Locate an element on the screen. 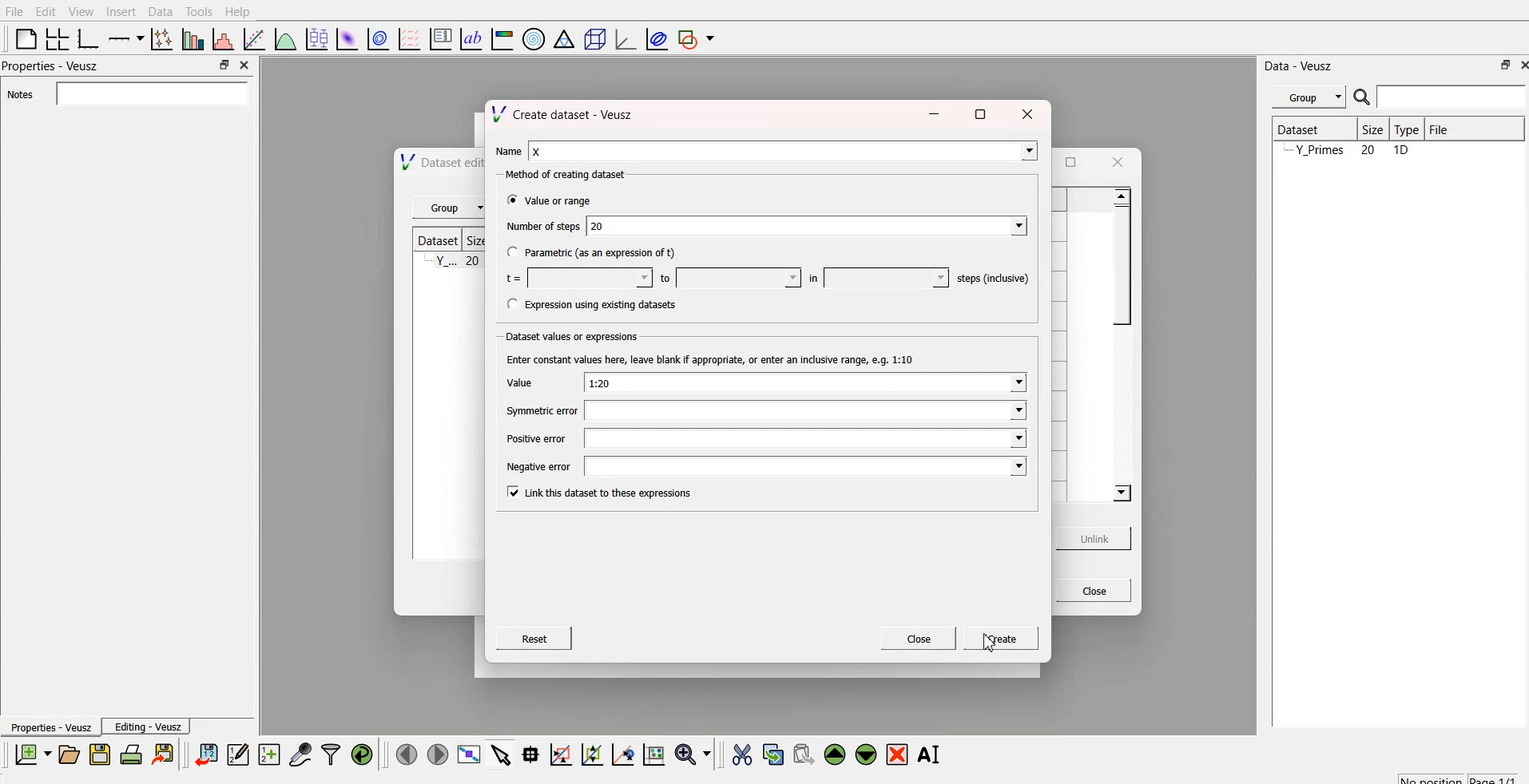 This screenshot has height=784, width=1529. select items from graph is located at coordinates (502, 754).